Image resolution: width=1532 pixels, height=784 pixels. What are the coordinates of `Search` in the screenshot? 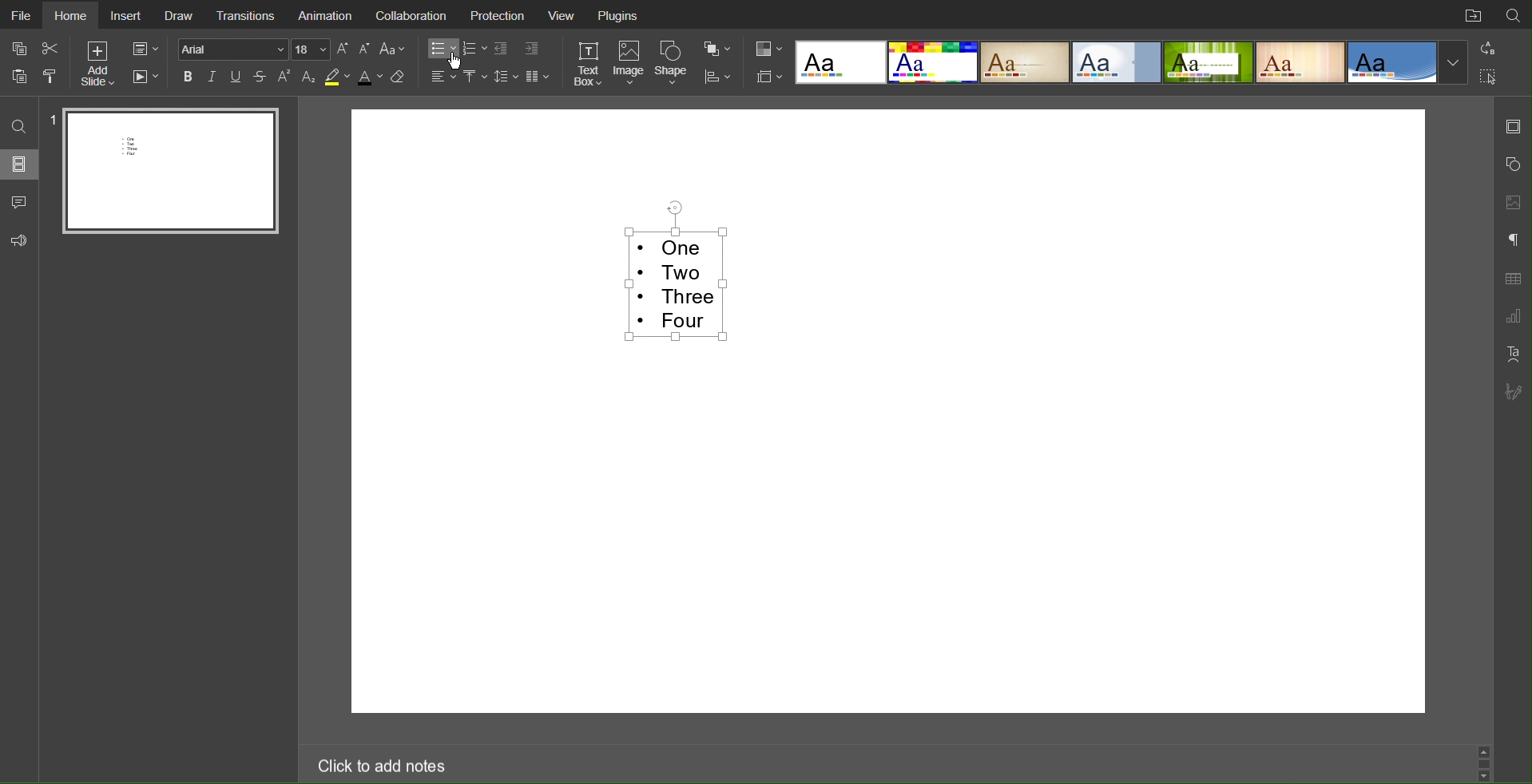 It's located at (1514, 14).